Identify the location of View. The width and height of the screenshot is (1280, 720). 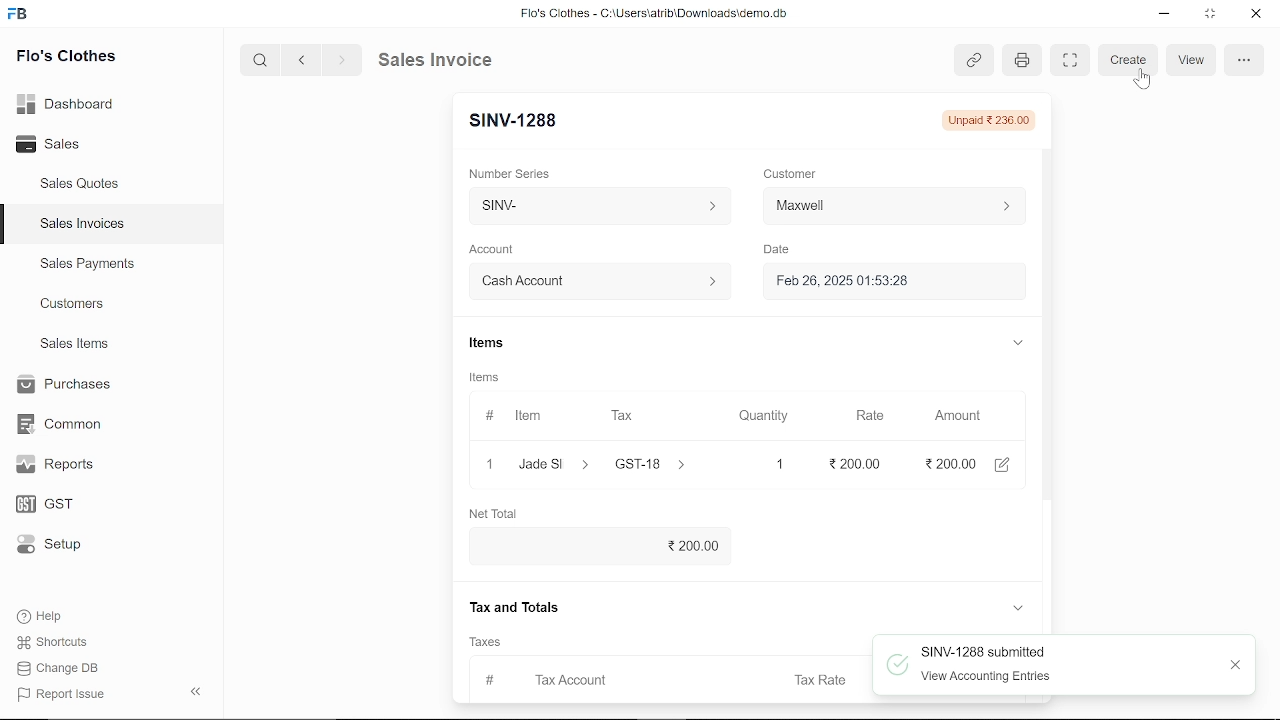
(1191, 60).